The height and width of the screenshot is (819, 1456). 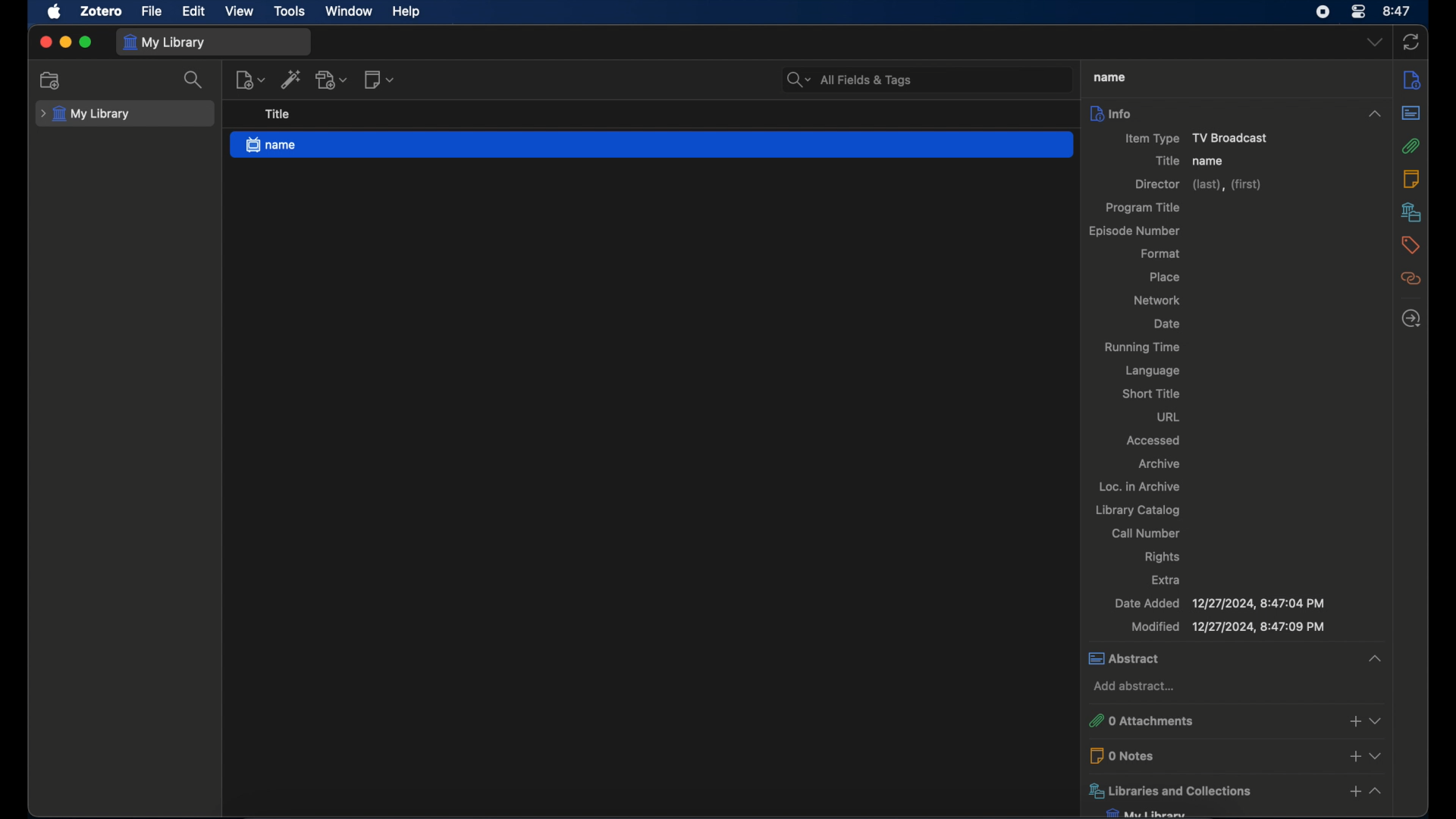 I want to click on item type, so click(x=1188, y=139).